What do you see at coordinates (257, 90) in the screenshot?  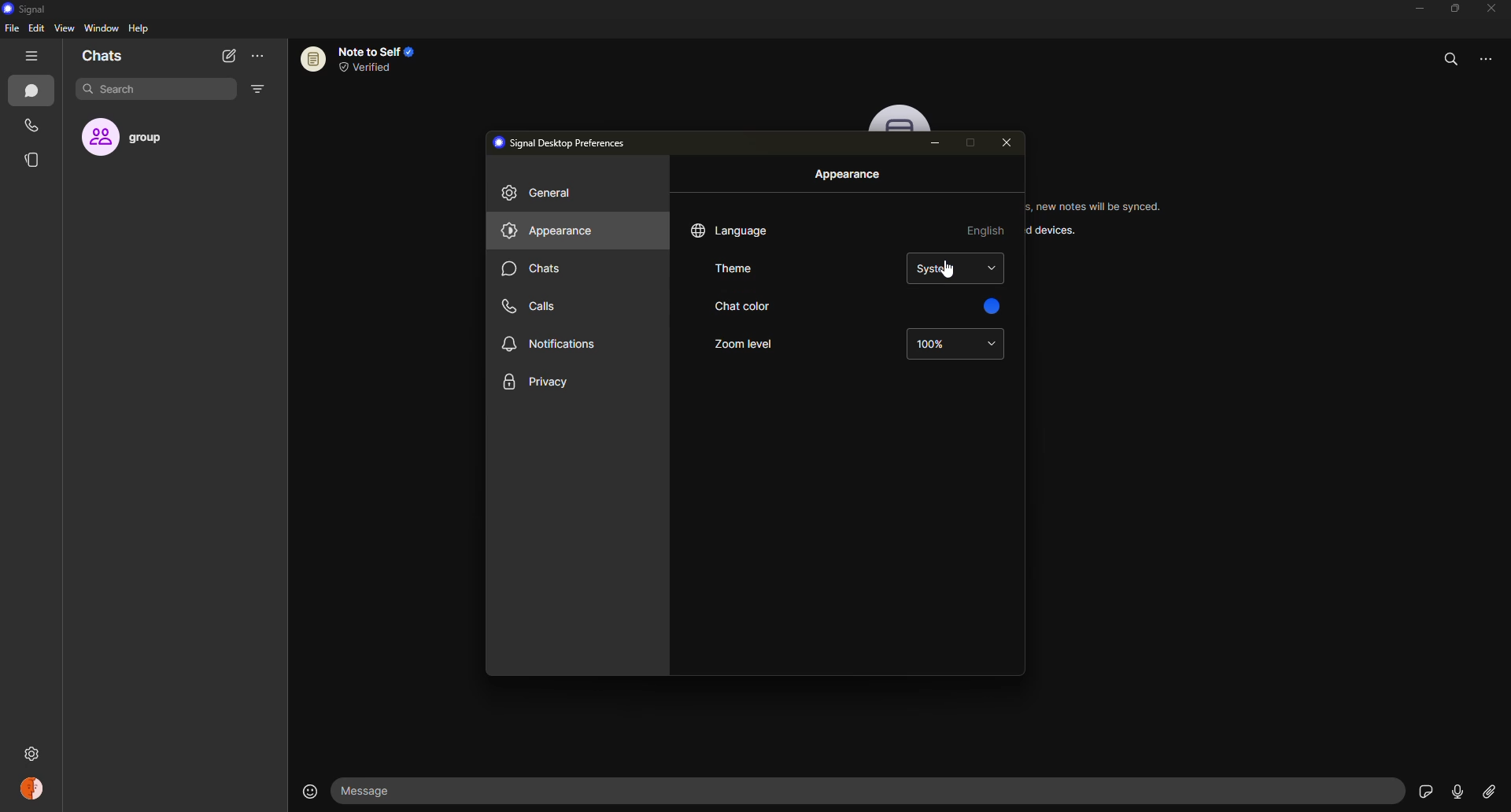 I see `filter` at bounding box center [257, 90].